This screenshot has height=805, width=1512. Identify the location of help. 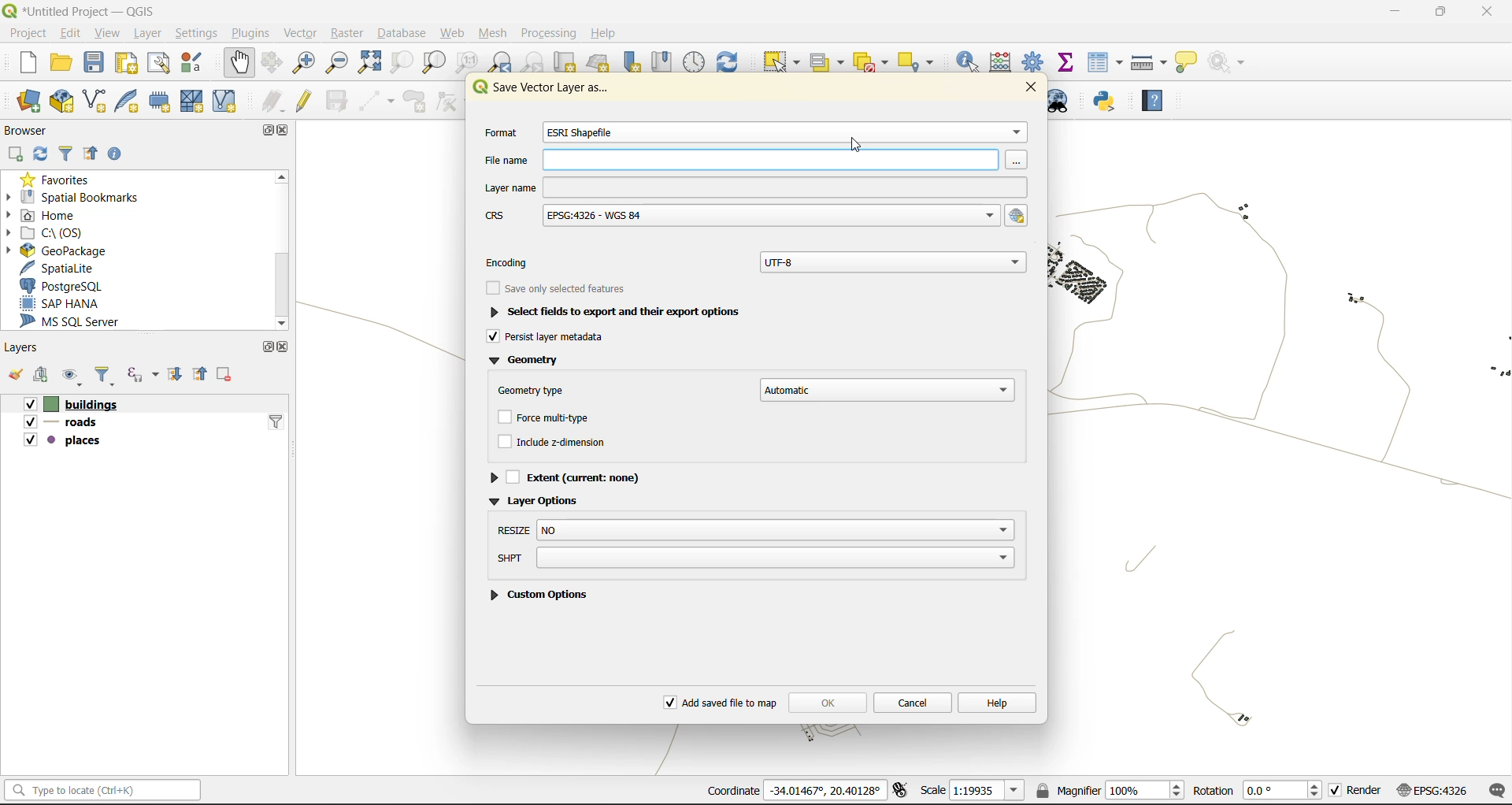
(997, 702).